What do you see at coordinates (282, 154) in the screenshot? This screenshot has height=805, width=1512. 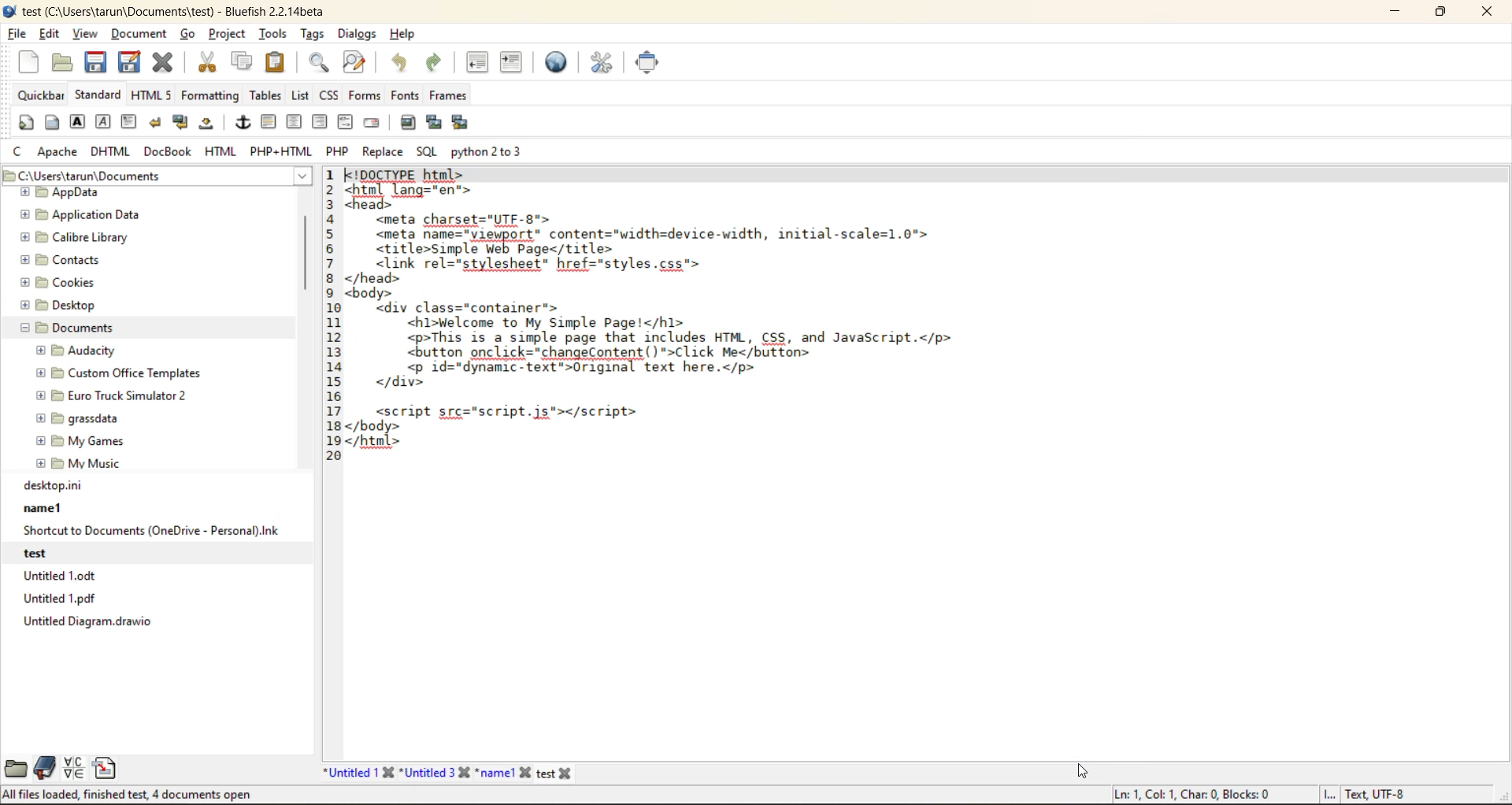 I see `php + html` at bounding box center [282, 154].